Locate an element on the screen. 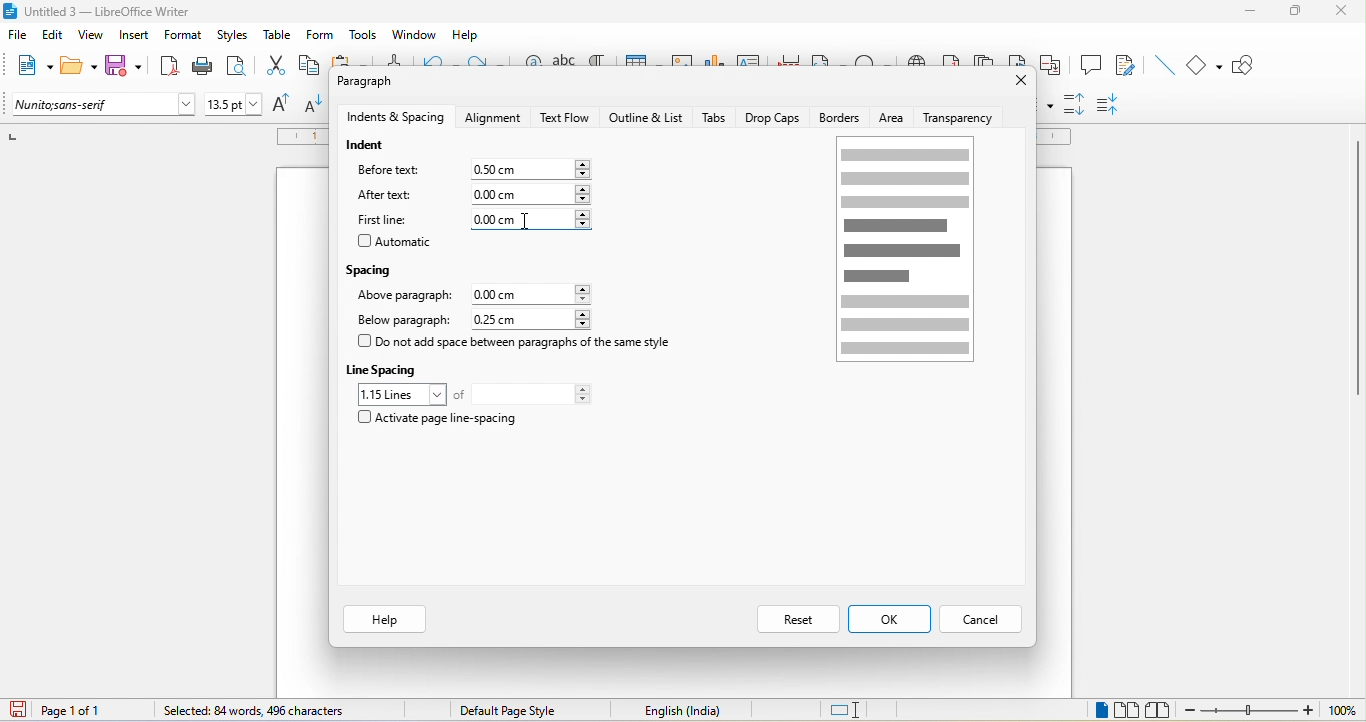 This screenshot has width=1366, height=722. 1.15 loines is located at coordinates (401, 393).